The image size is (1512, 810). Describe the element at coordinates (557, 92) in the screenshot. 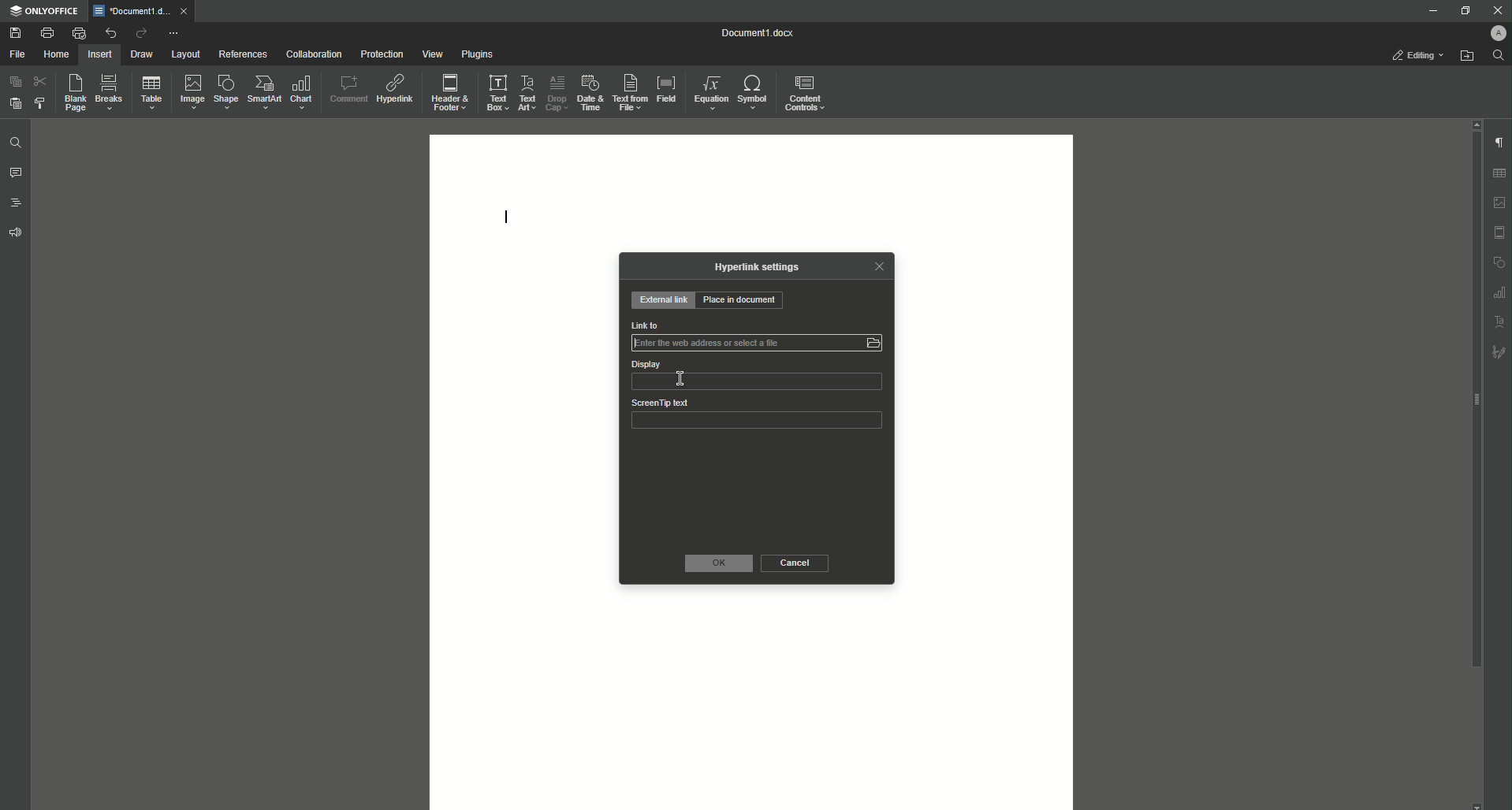

I see `Drop Cap` at that location.